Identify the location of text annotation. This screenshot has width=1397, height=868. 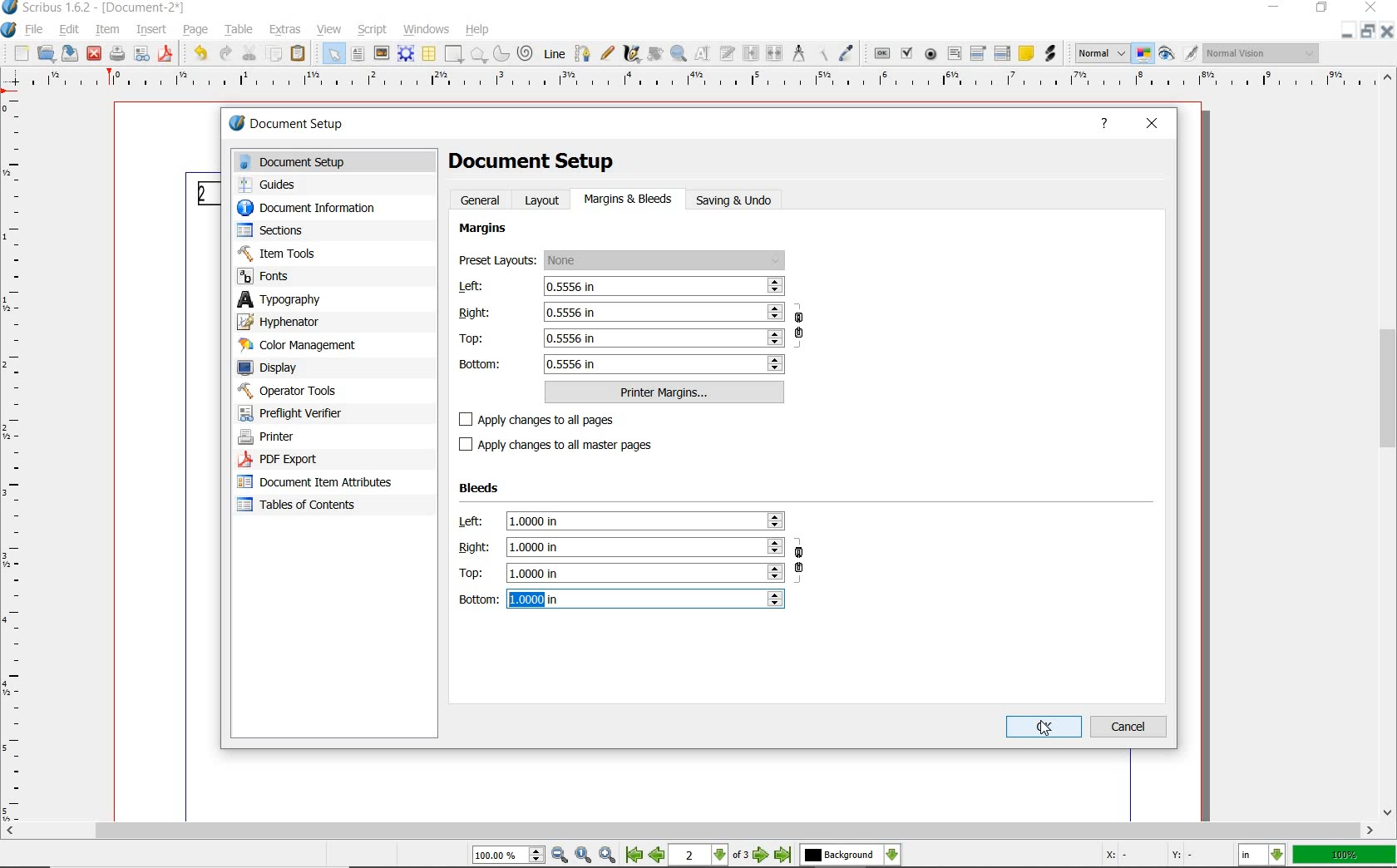
(1026, 54).